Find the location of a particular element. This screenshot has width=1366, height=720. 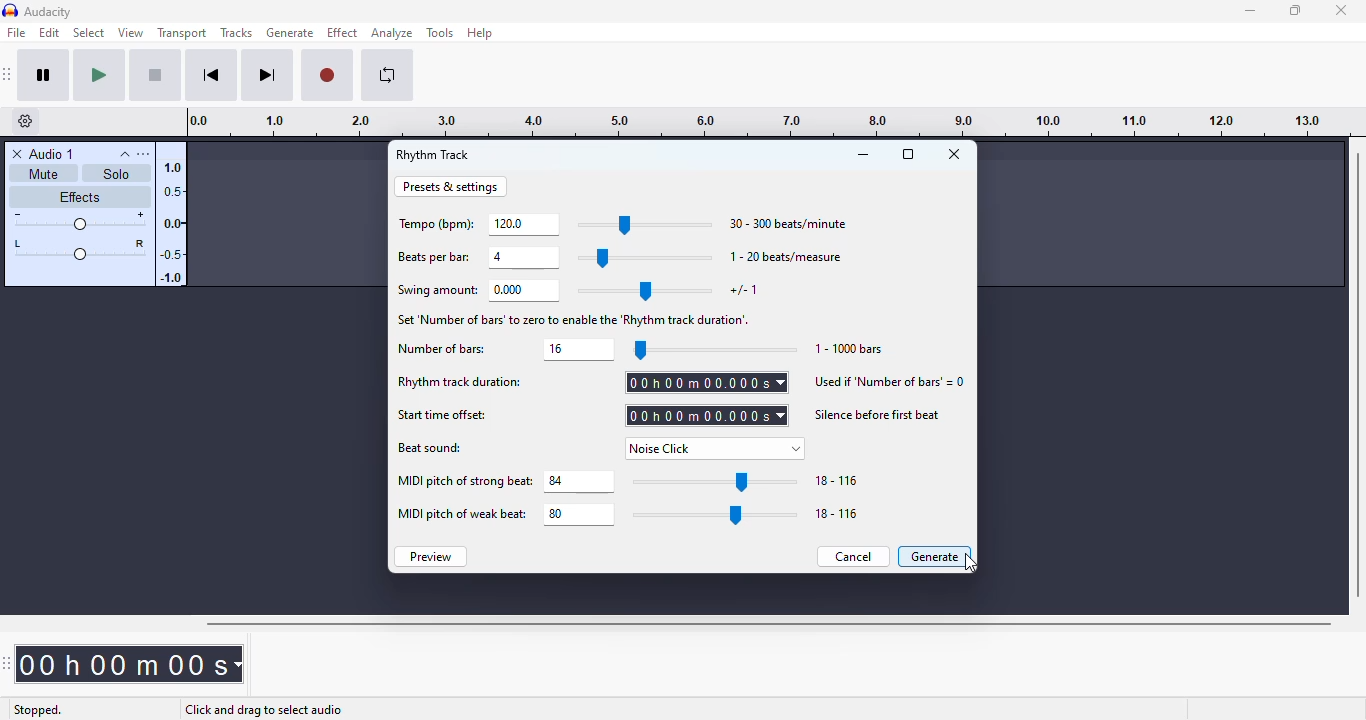

used if 'number of bars'=0 is located at coordinates (890, 381).